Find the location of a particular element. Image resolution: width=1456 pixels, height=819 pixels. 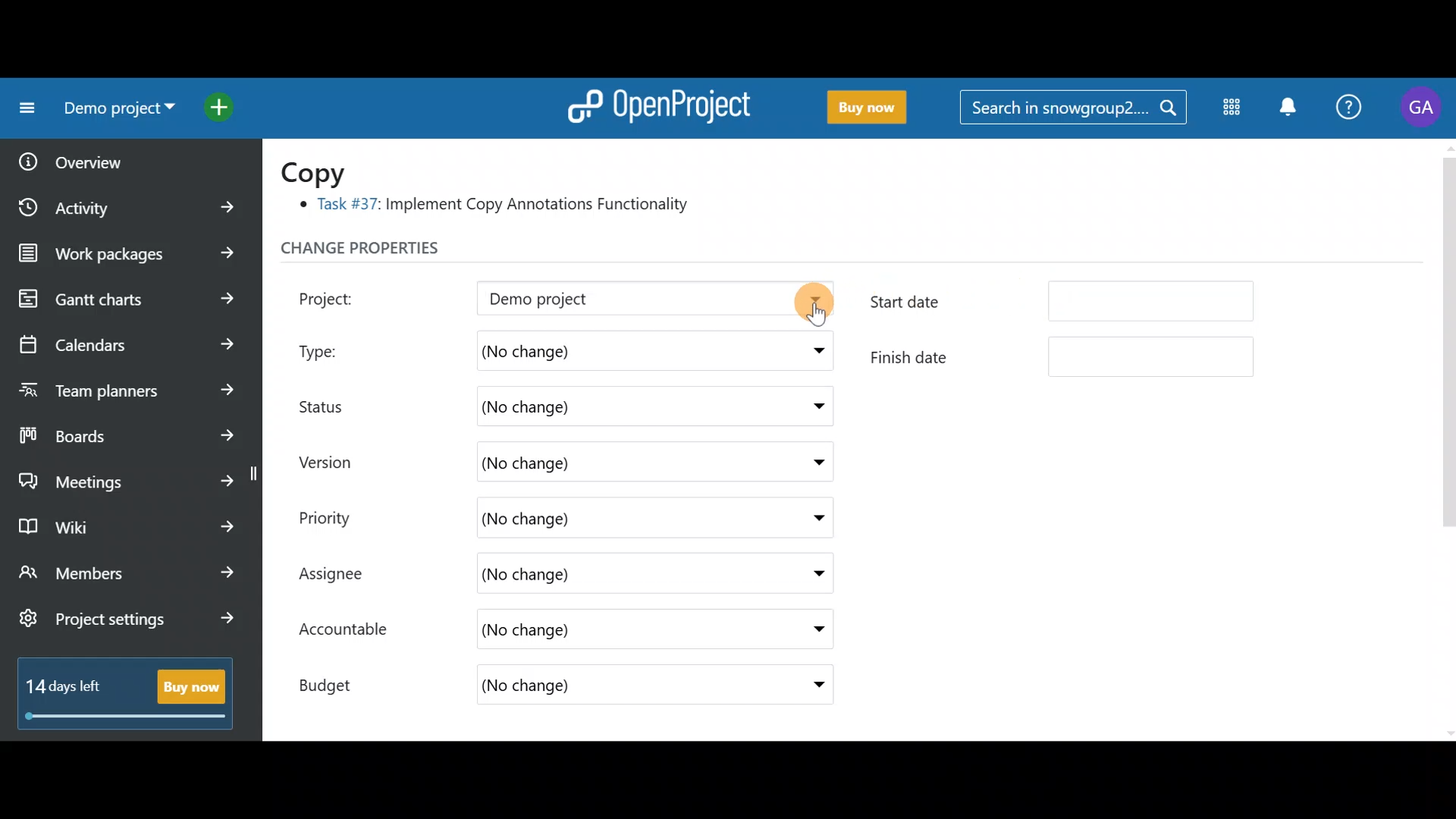

Priority is located at coordinates (341, 516).